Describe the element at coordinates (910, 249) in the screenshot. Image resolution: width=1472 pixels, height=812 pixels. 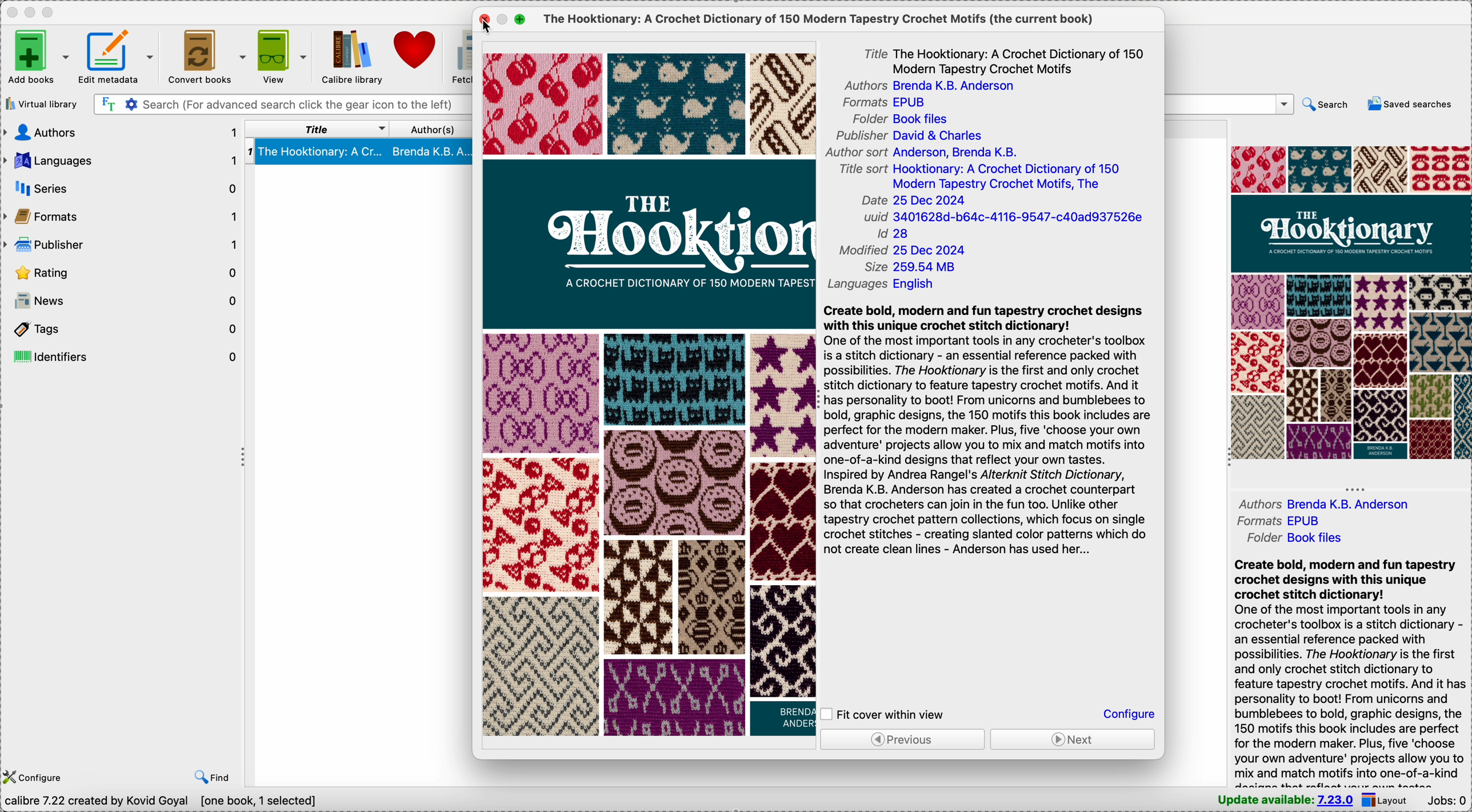
I see `modified` at that location.